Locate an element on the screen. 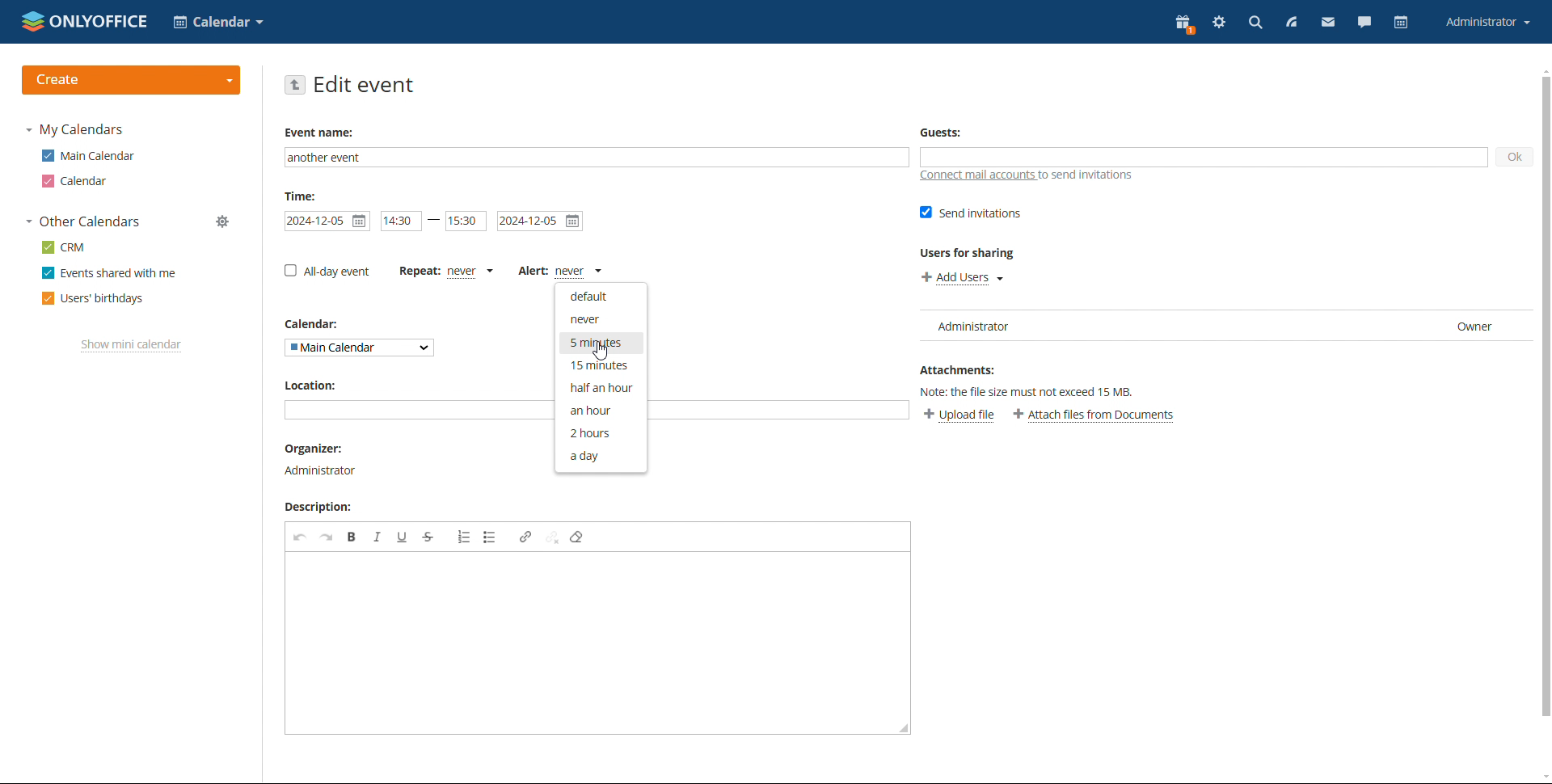  scroll bar is located at coordinates (1542, 398).